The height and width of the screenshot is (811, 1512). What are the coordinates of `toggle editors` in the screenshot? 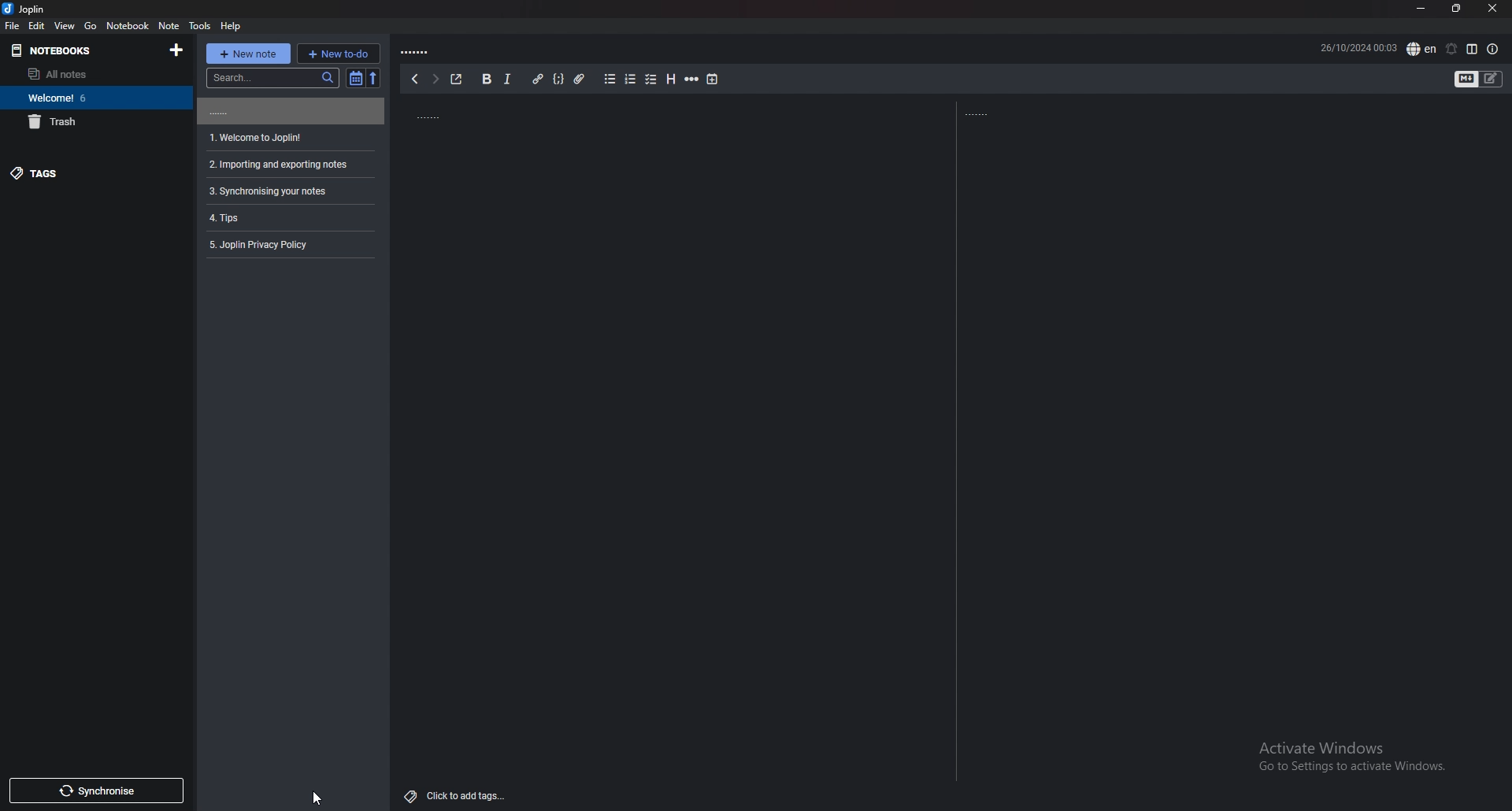 It's located at (1491, 79).